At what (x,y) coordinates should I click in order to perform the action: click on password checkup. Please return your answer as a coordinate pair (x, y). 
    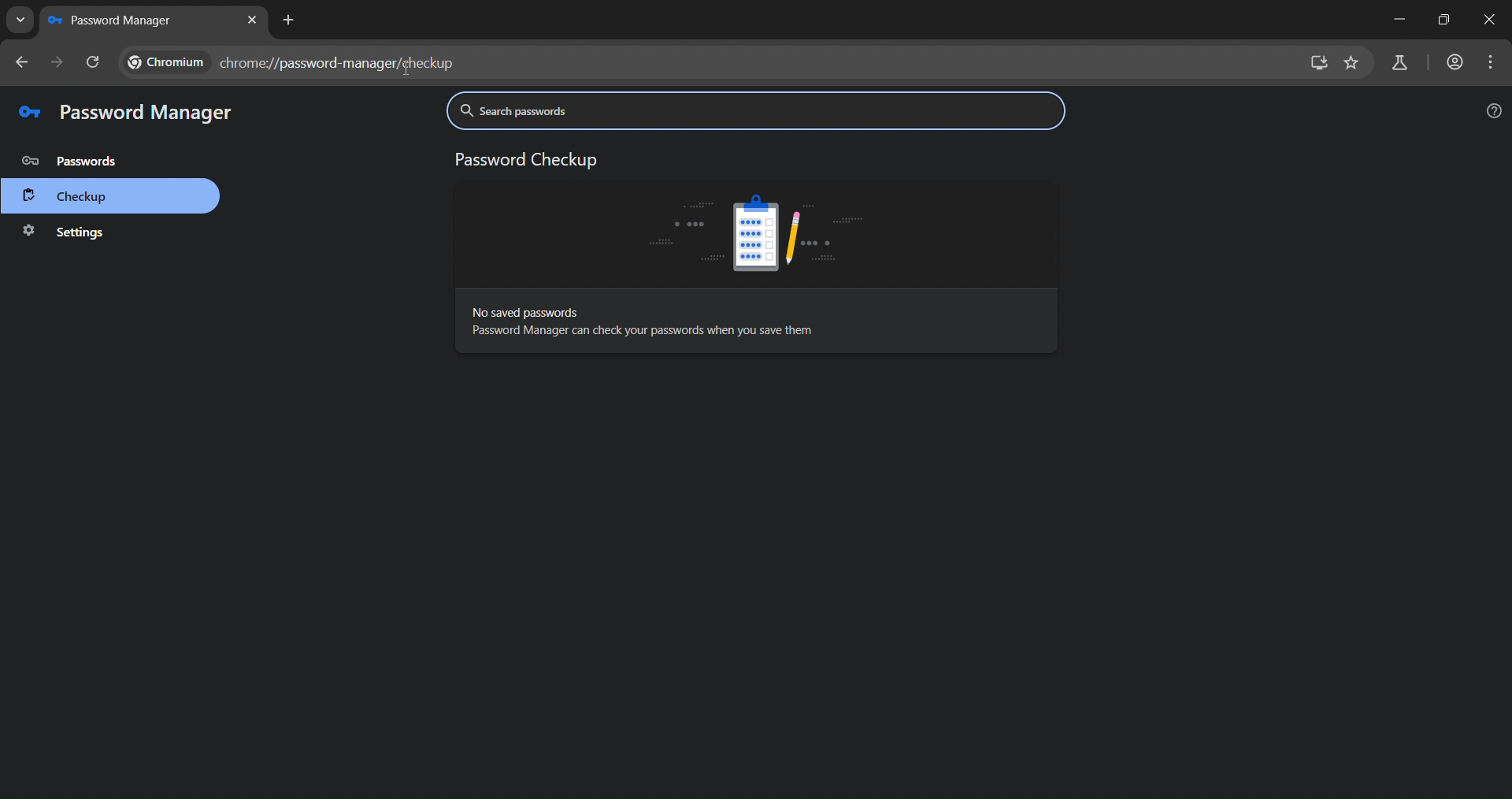
    Looking at the image, I should click on (522, 157).